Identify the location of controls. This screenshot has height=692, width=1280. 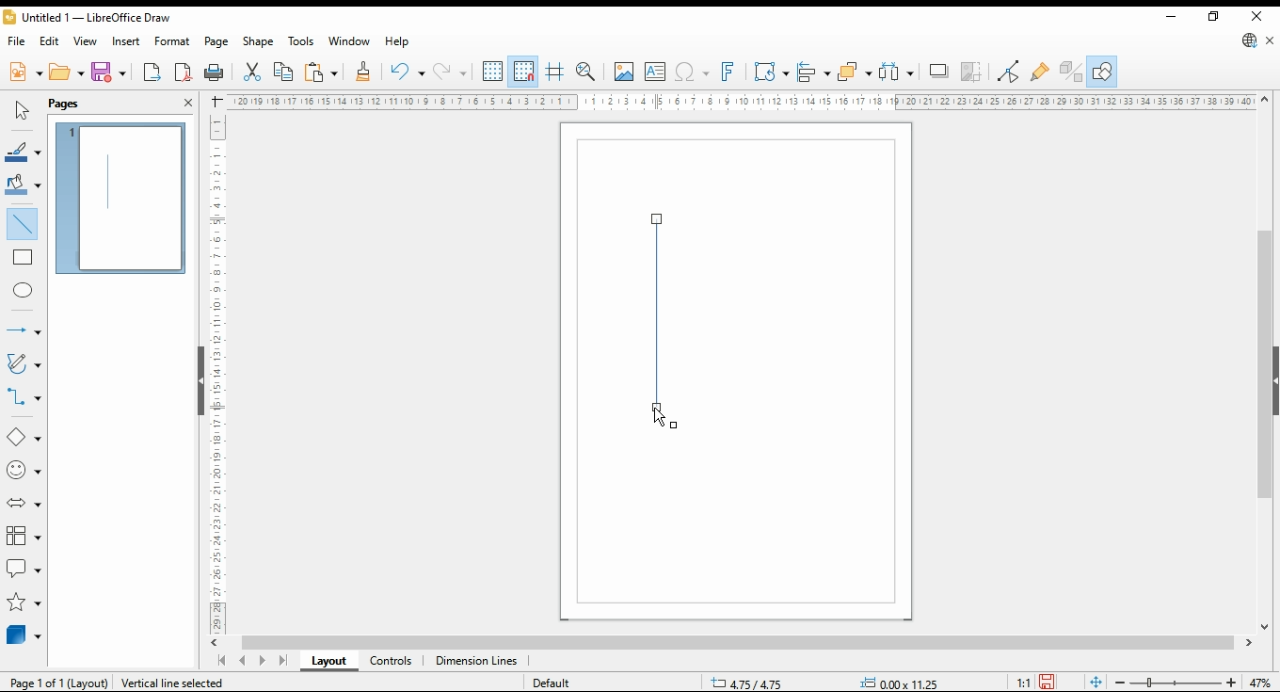
(390, 662).